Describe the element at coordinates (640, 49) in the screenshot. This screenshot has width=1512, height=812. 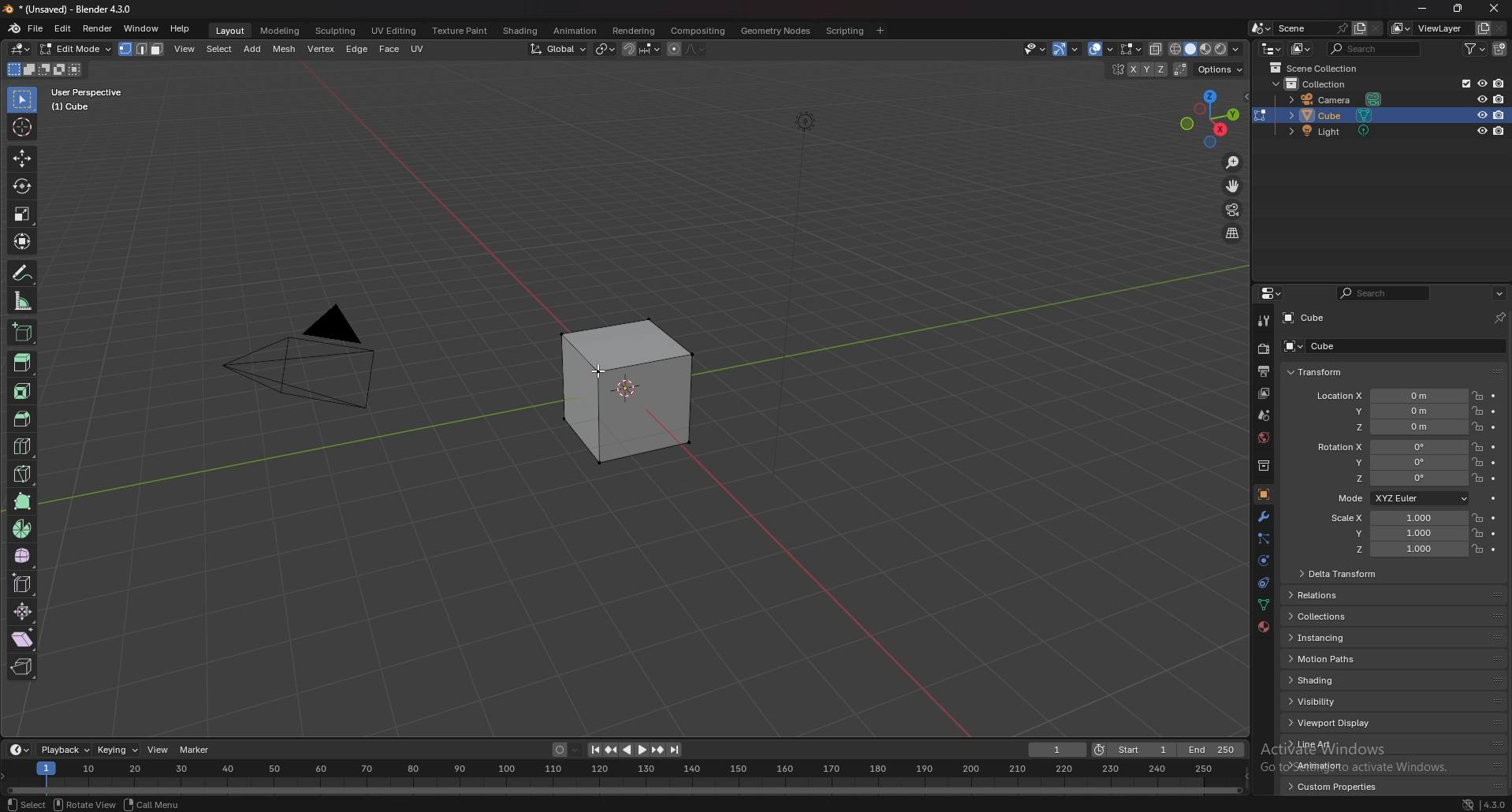
I see `snapping` at that location.